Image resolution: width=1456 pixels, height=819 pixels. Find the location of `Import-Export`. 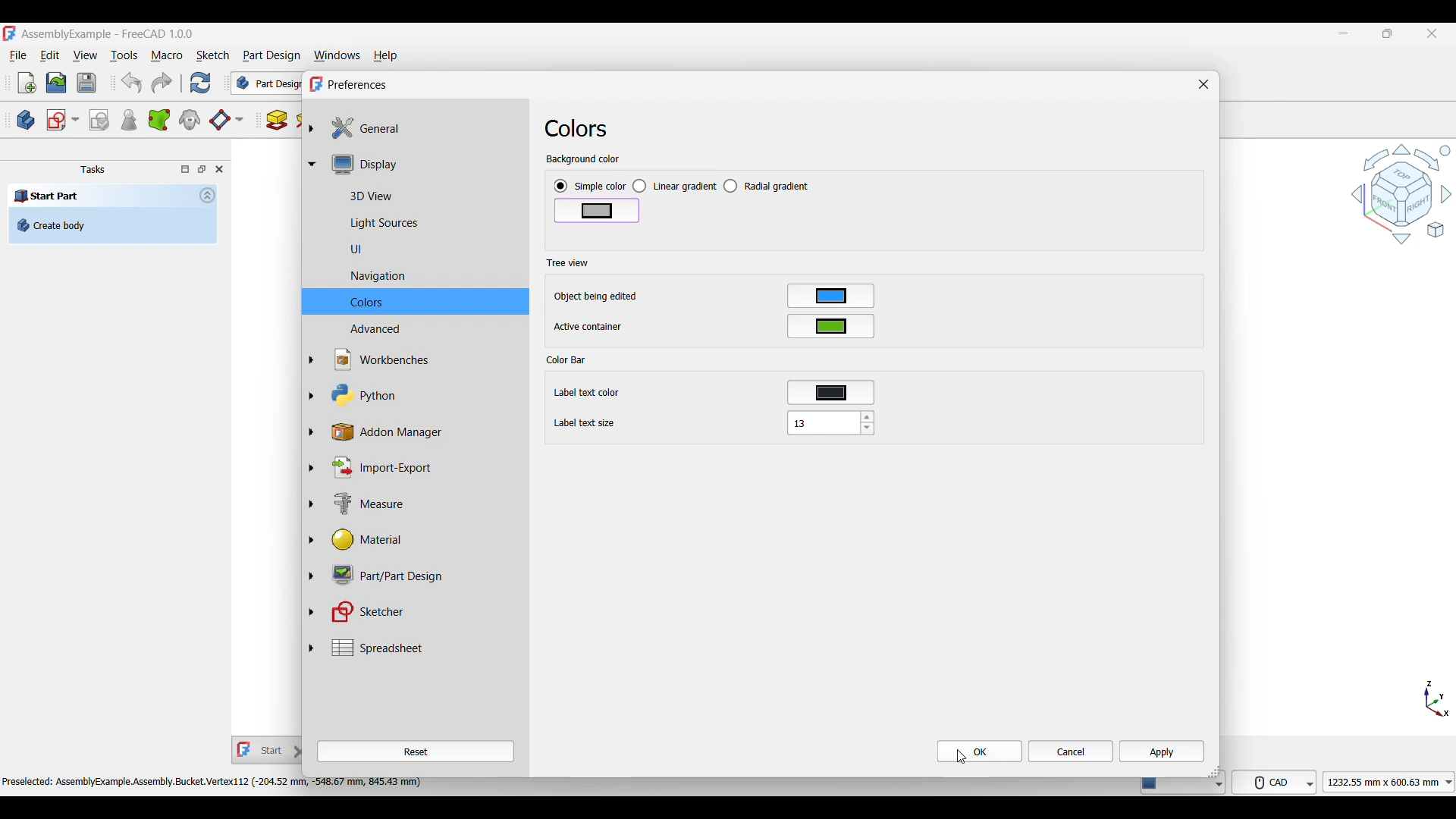

Import-Export is located at coordinates (424, 467).